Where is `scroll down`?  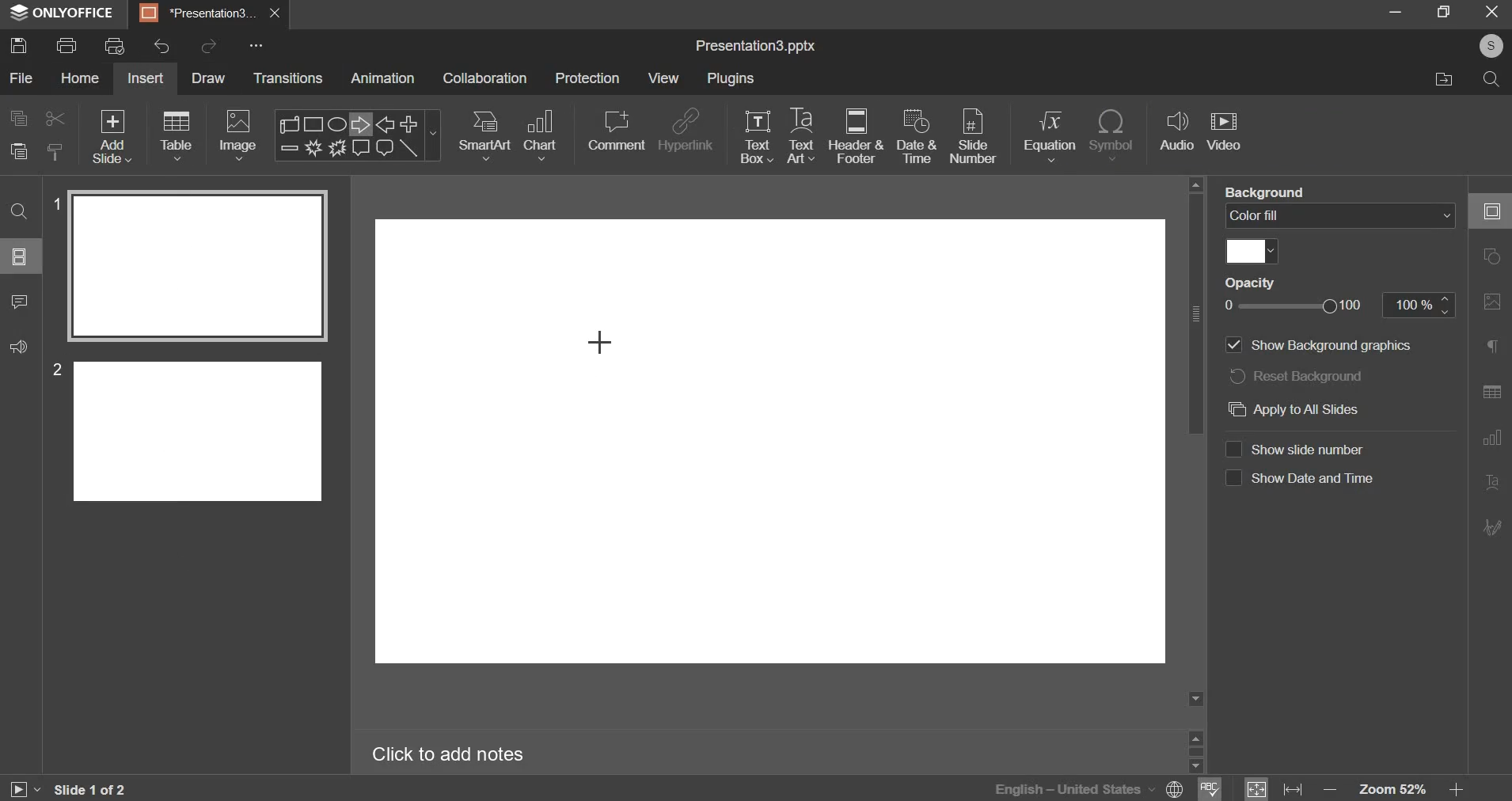 scroll down is located at coordinates (1195, 766).